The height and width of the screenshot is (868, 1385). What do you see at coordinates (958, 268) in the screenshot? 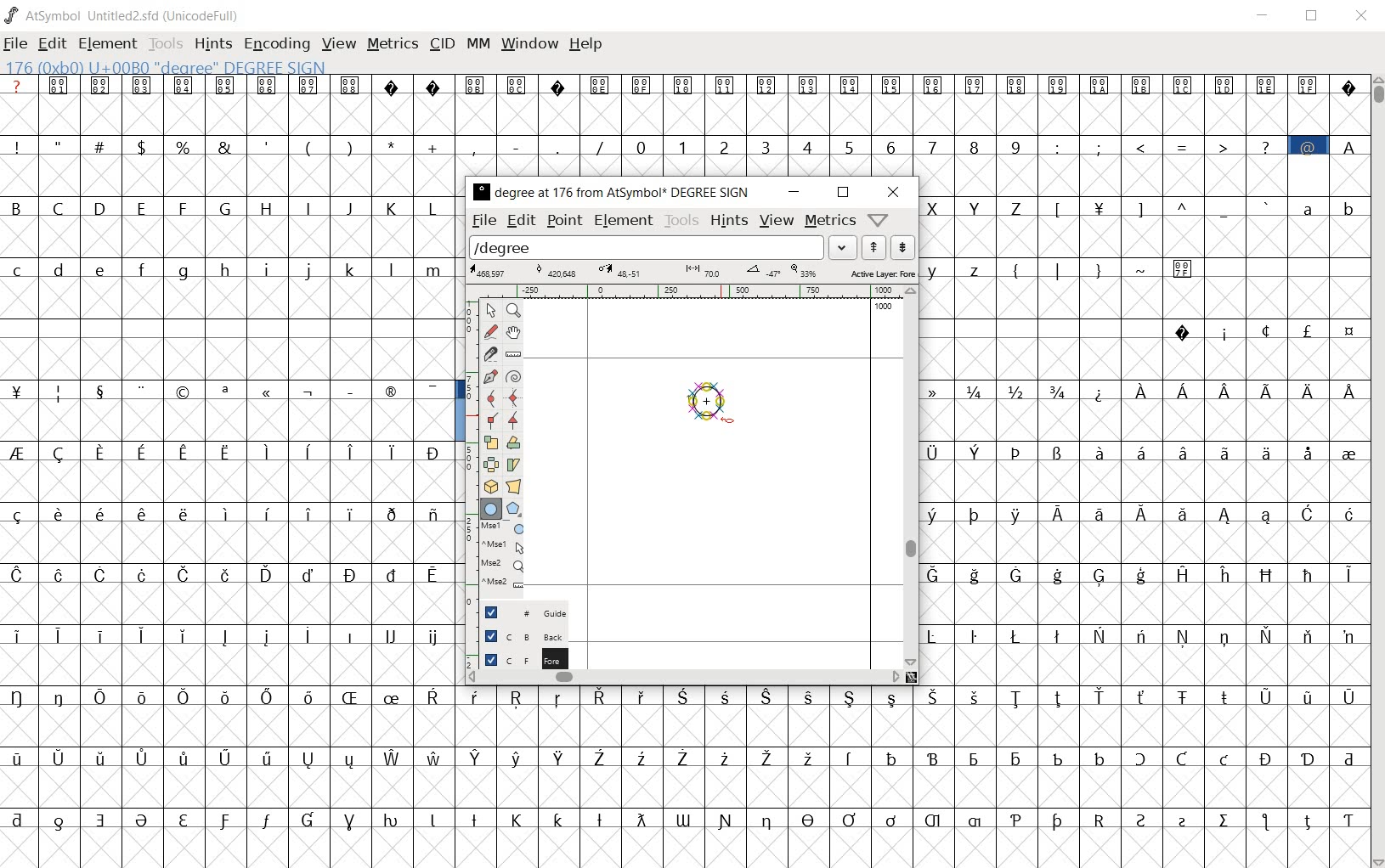
I see `y z` at bounding box center [958, 268].